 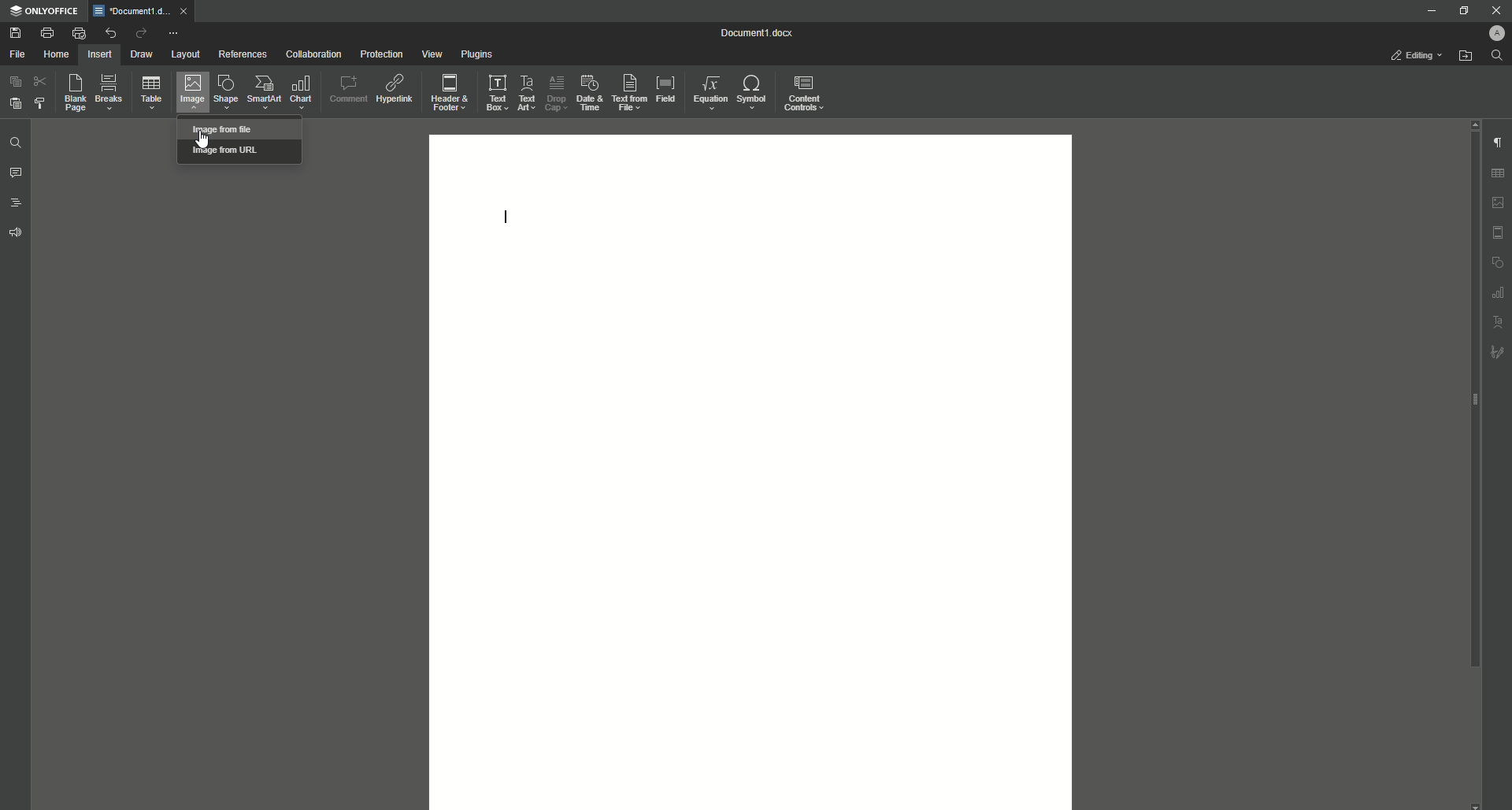 I want to click on Choose Styling, so click(x=40, y=104).